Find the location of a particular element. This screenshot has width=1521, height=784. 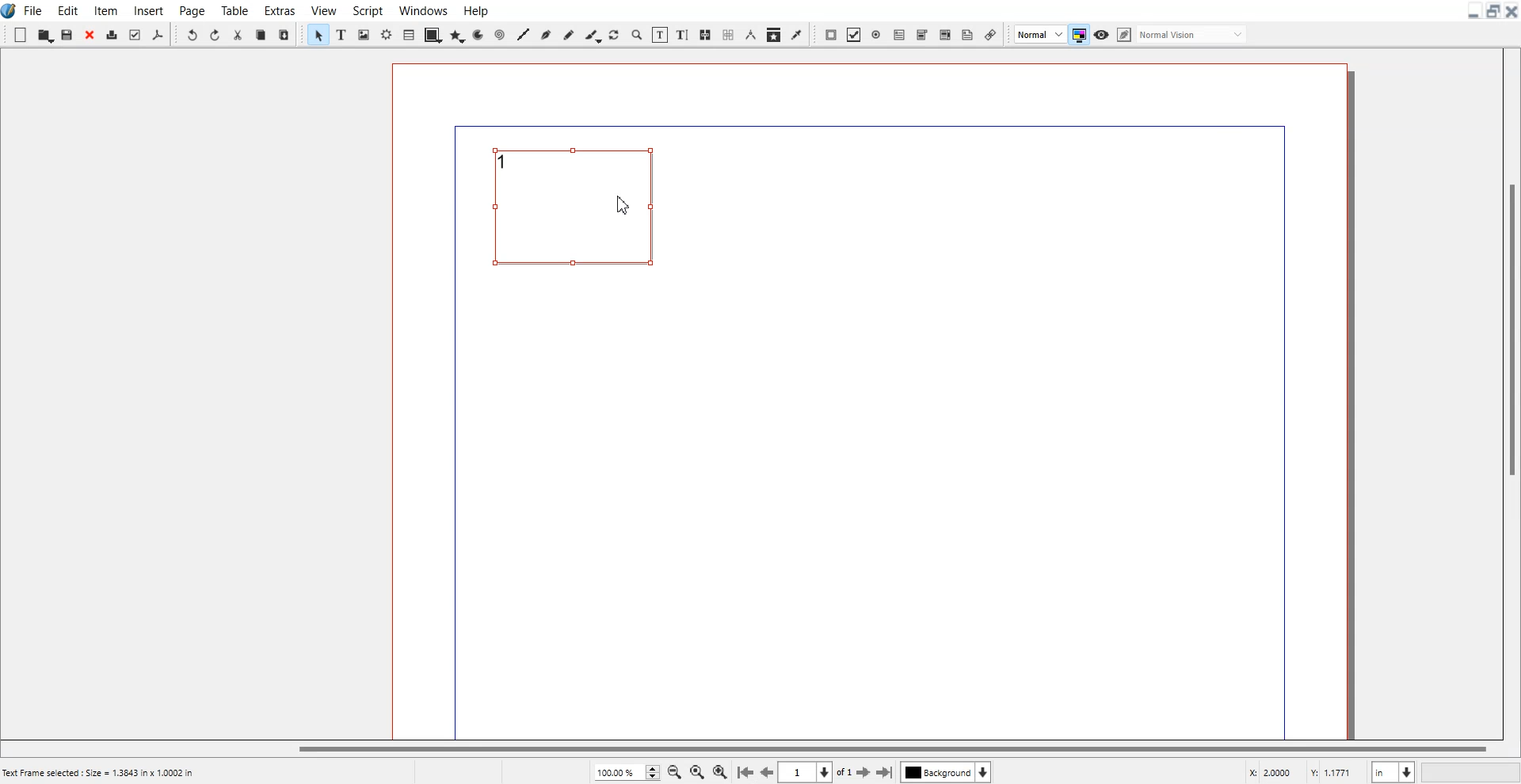

PDF Radio Button is located at coordinates (876, 35).